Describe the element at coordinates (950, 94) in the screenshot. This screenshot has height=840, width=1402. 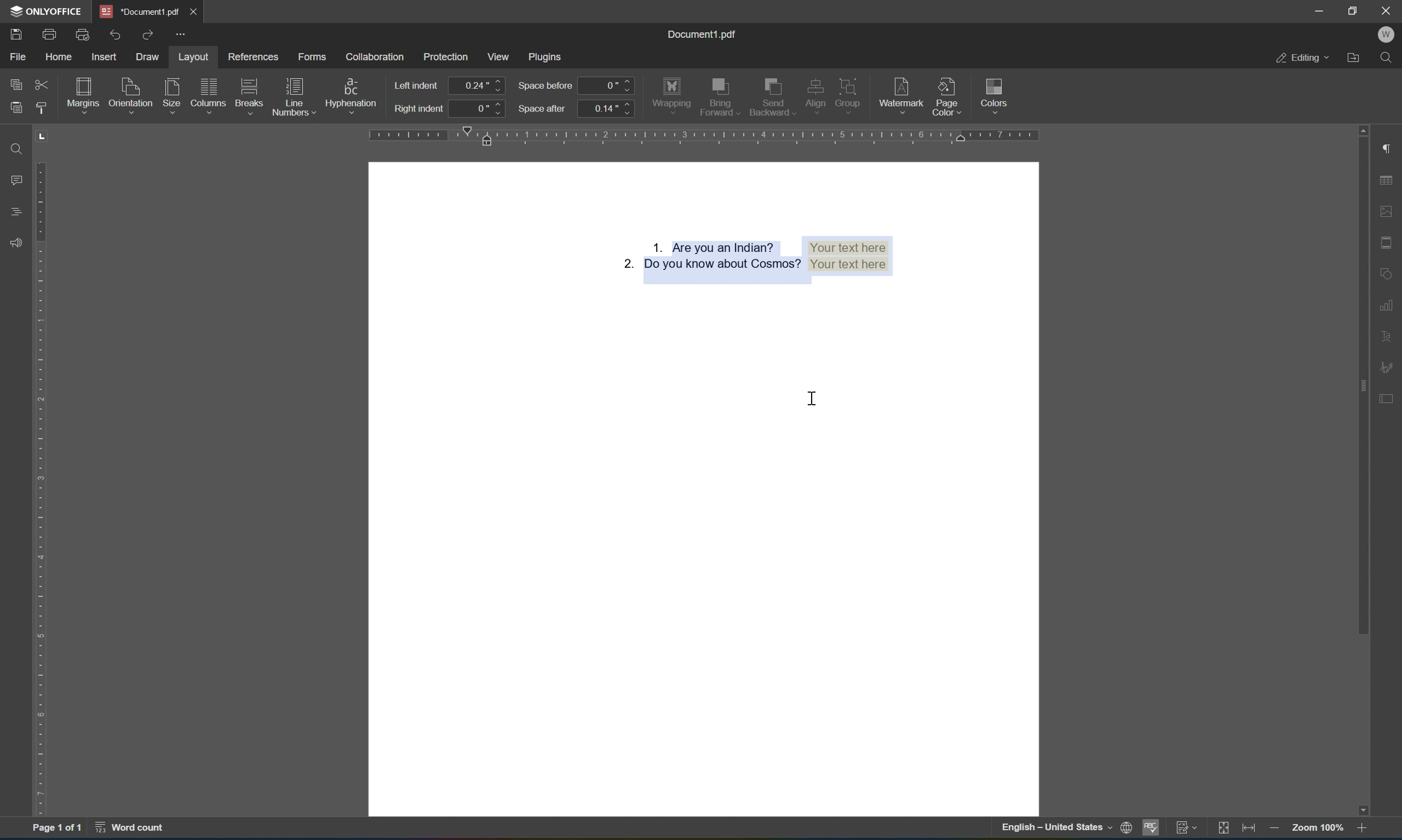
I see `page color` at that location.